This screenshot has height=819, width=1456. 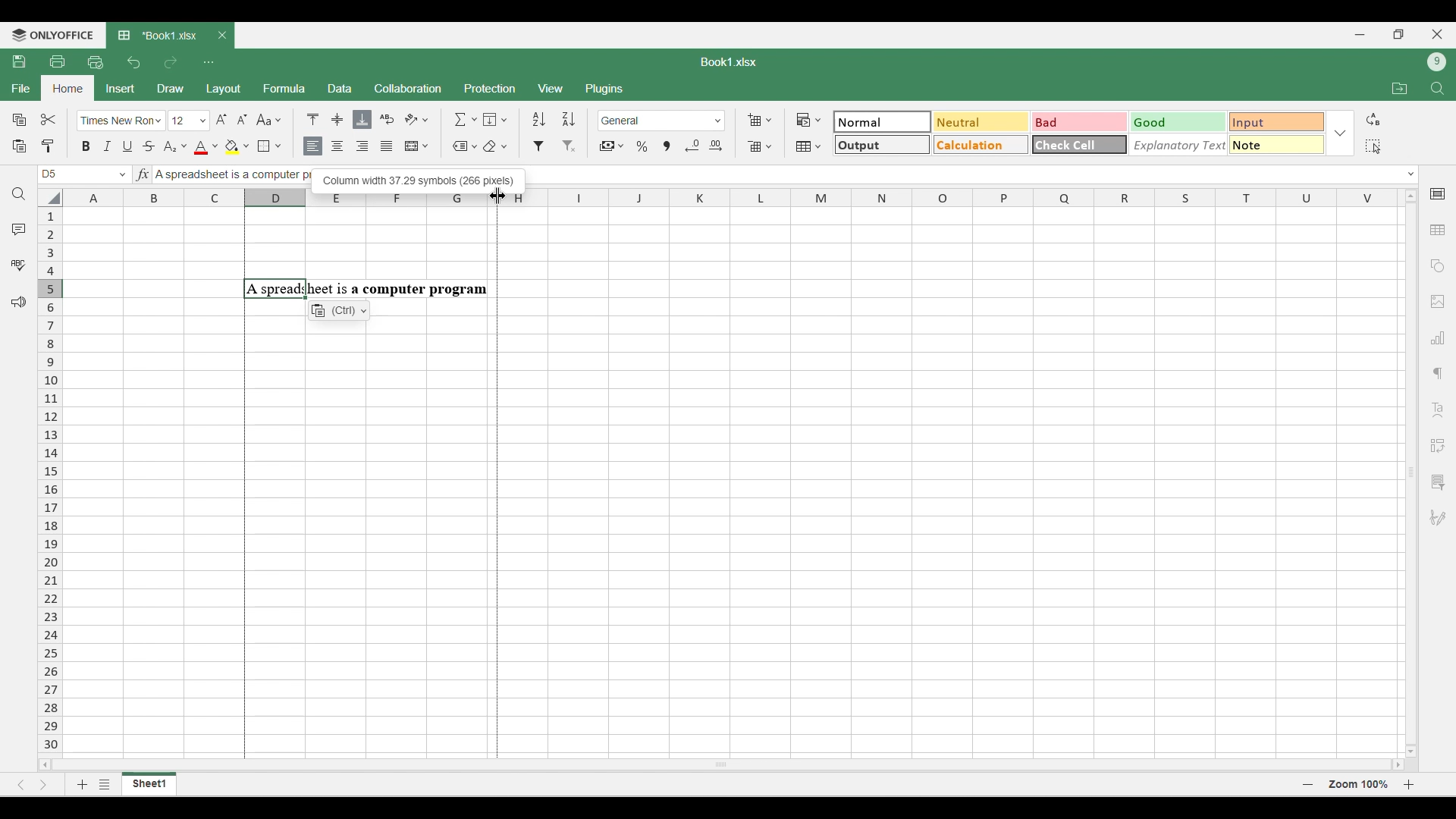 I want to click on Spell check, so click(x=18, y=265).